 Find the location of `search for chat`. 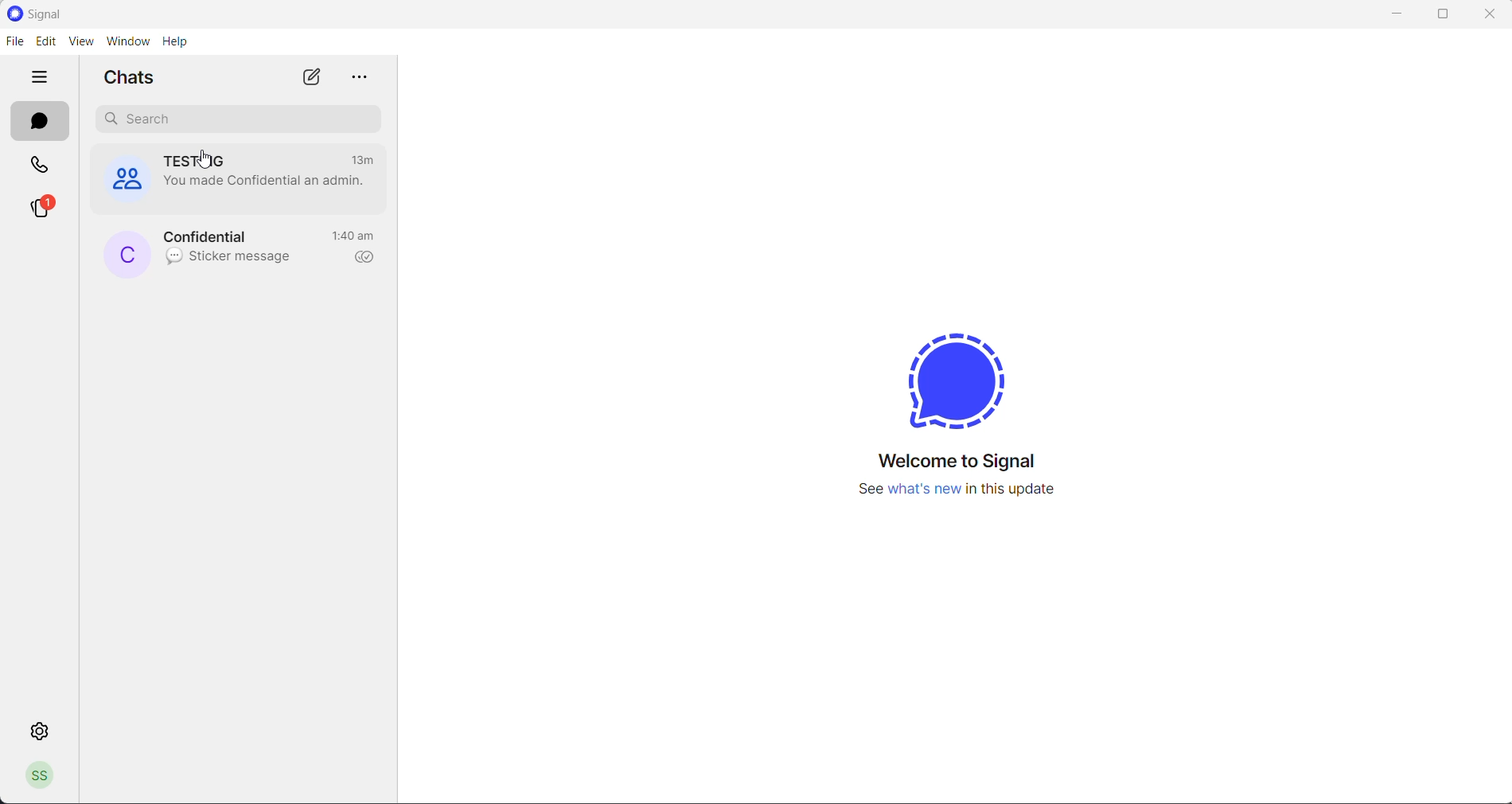

search for chat is located at coordinates (241, 121).